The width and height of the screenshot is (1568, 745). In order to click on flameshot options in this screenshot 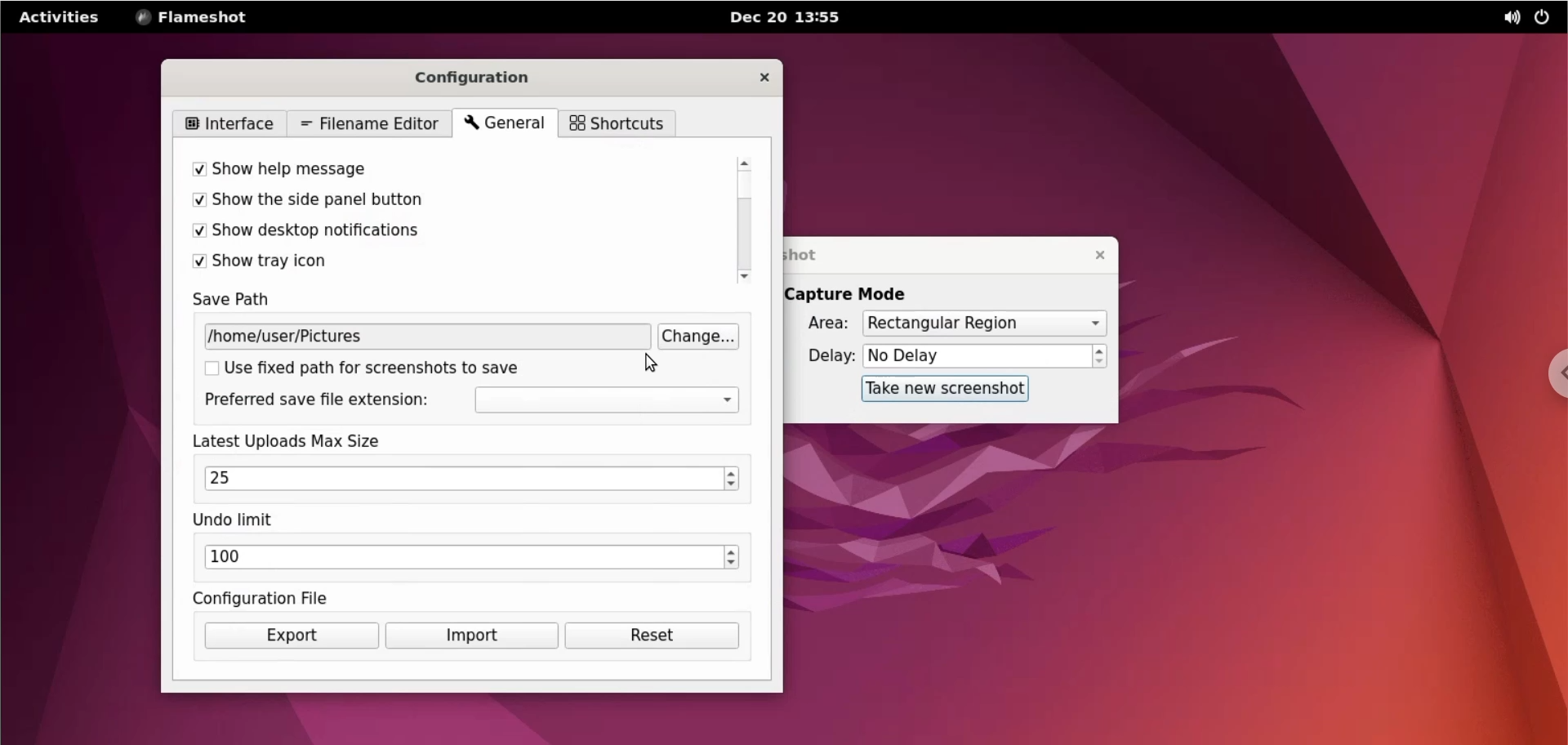, I will do `click(198, 16)`.